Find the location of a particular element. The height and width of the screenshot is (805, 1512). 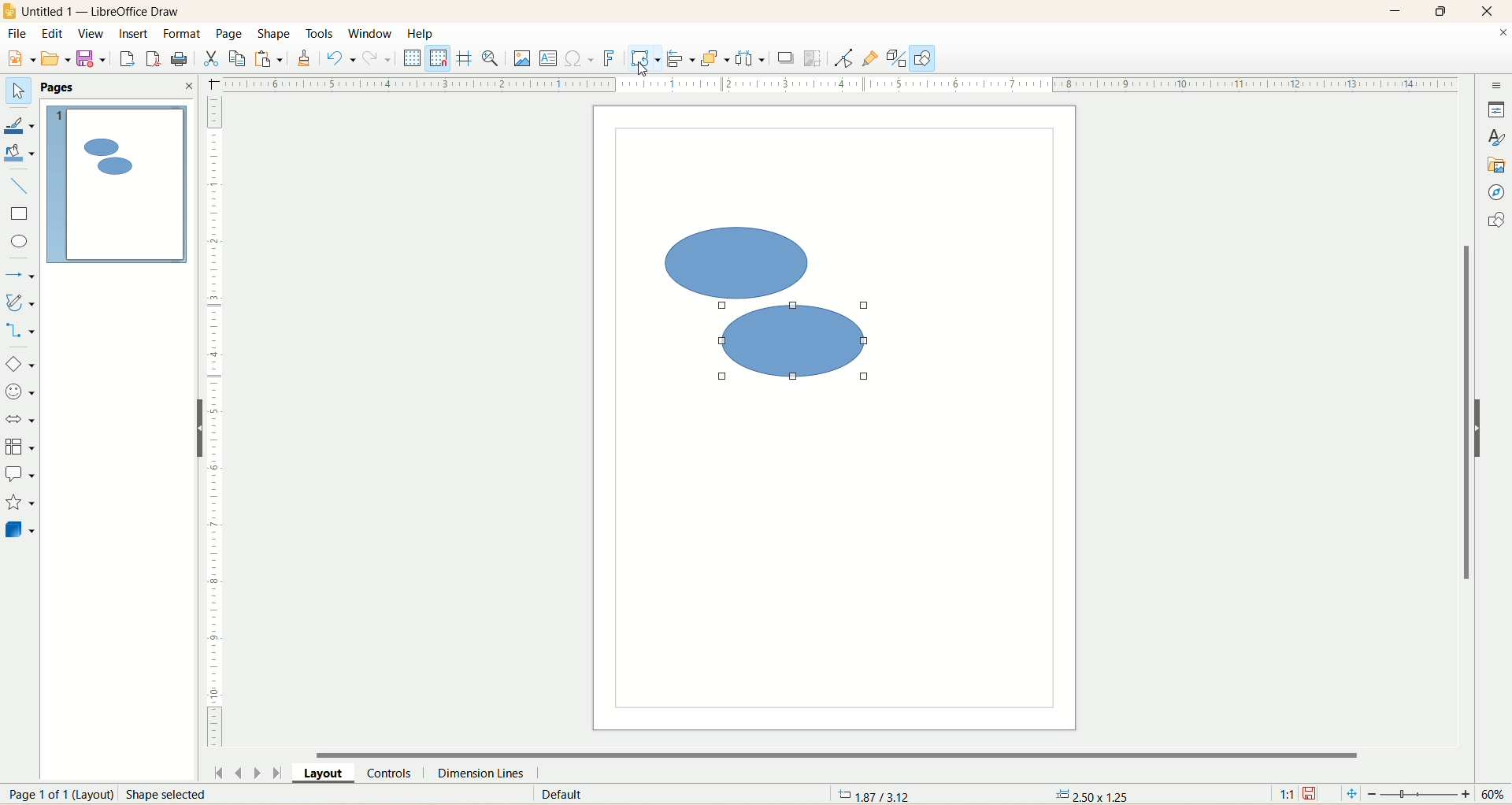

rectangle is located at coordinates (21, 213).